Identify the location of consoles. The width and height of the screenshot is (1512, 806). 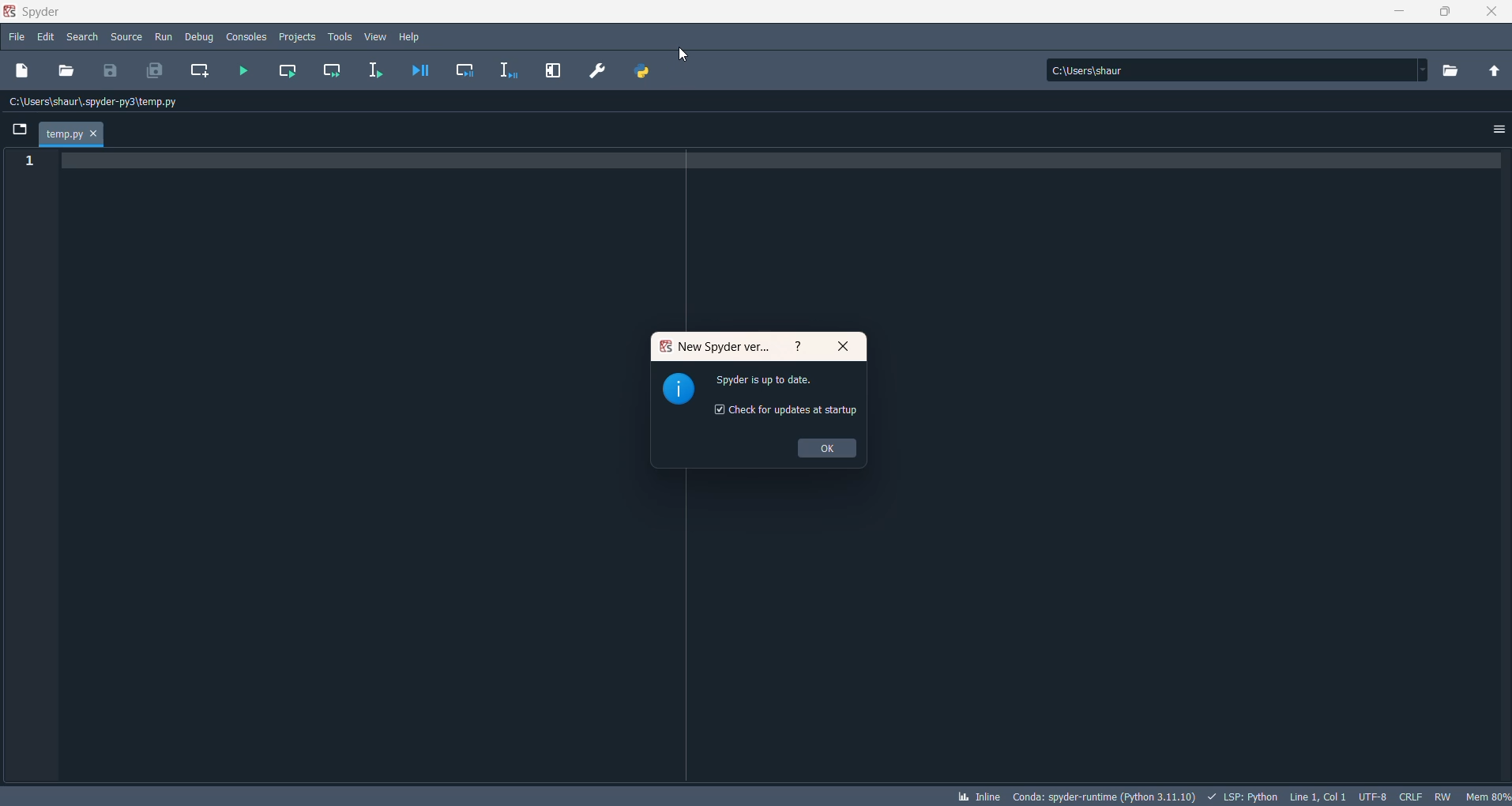
(246, 36).